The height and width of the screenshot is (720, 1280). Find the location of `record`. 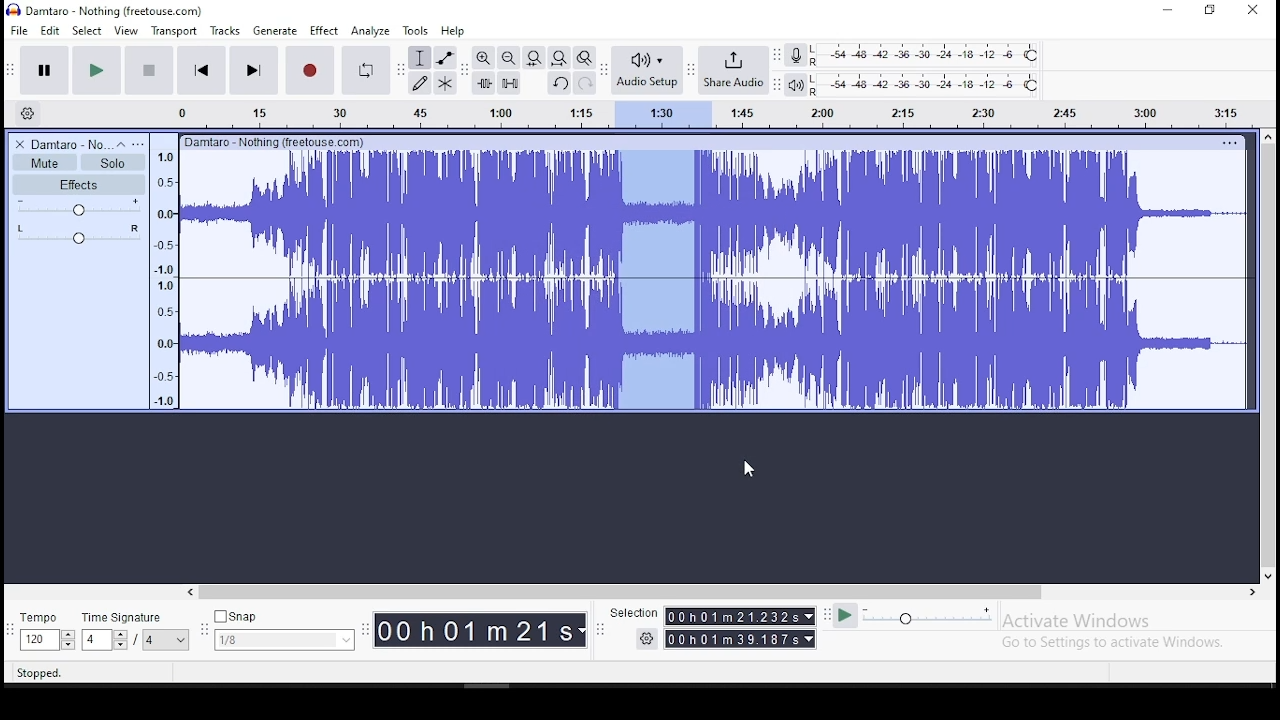

record is located at coordinates (308, 70).